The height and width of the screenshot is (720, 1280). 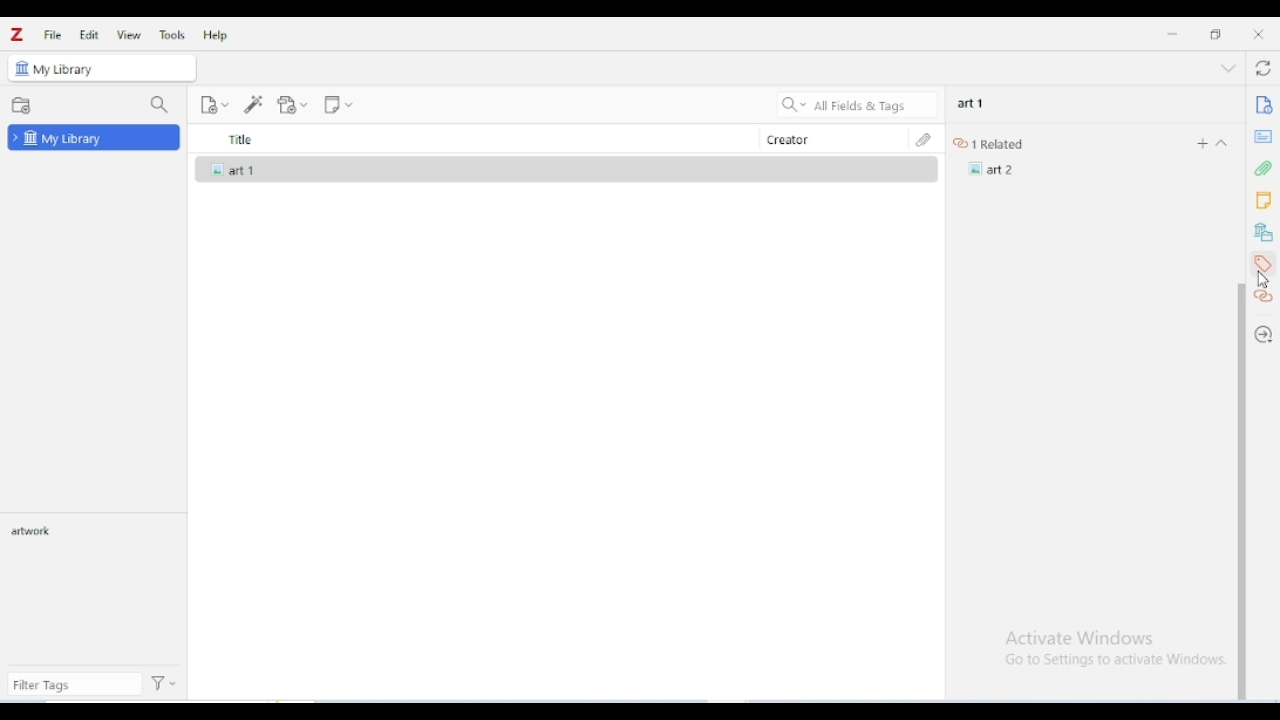 What do you see at coordinates (35, 532) in the screenshot?
I see `artwork` at bounding box center [35, 532].